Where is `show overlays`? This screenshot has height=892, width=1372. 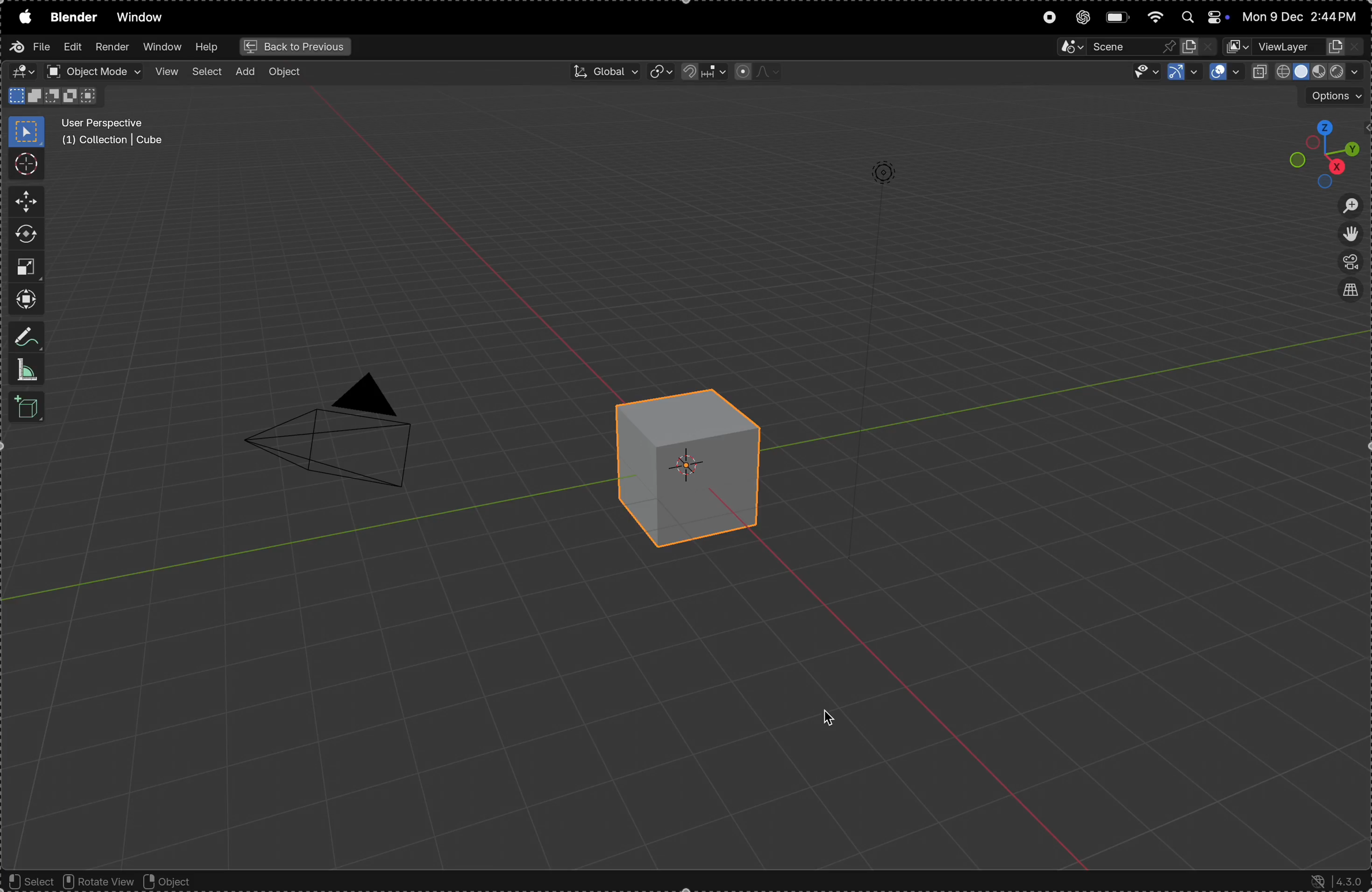
show overlays is located at coordinates (1225, 73).